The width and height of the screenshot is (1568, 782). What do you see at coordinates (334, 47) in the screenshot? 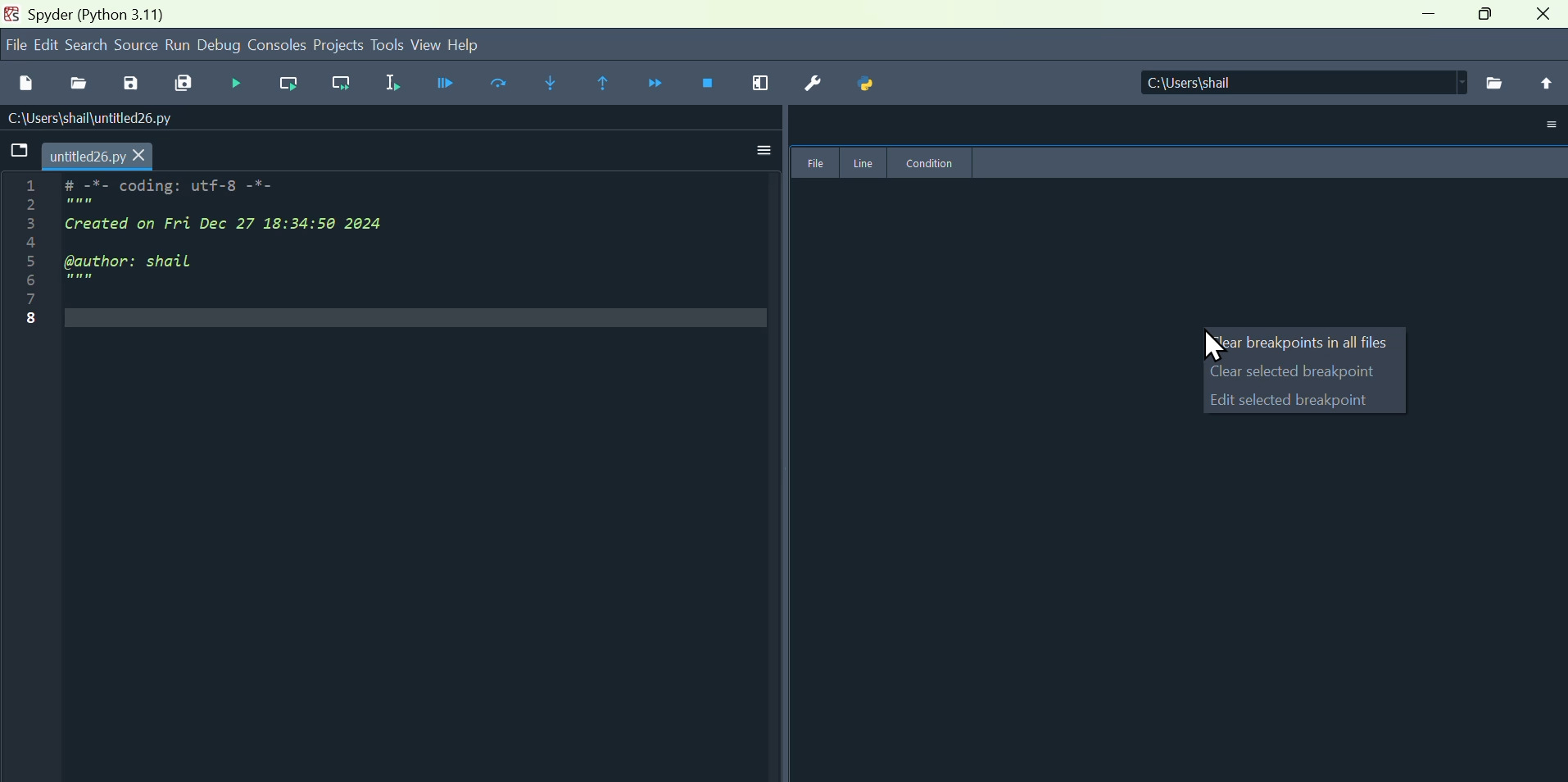
I see `Projects` at bounding box center [334, 47].